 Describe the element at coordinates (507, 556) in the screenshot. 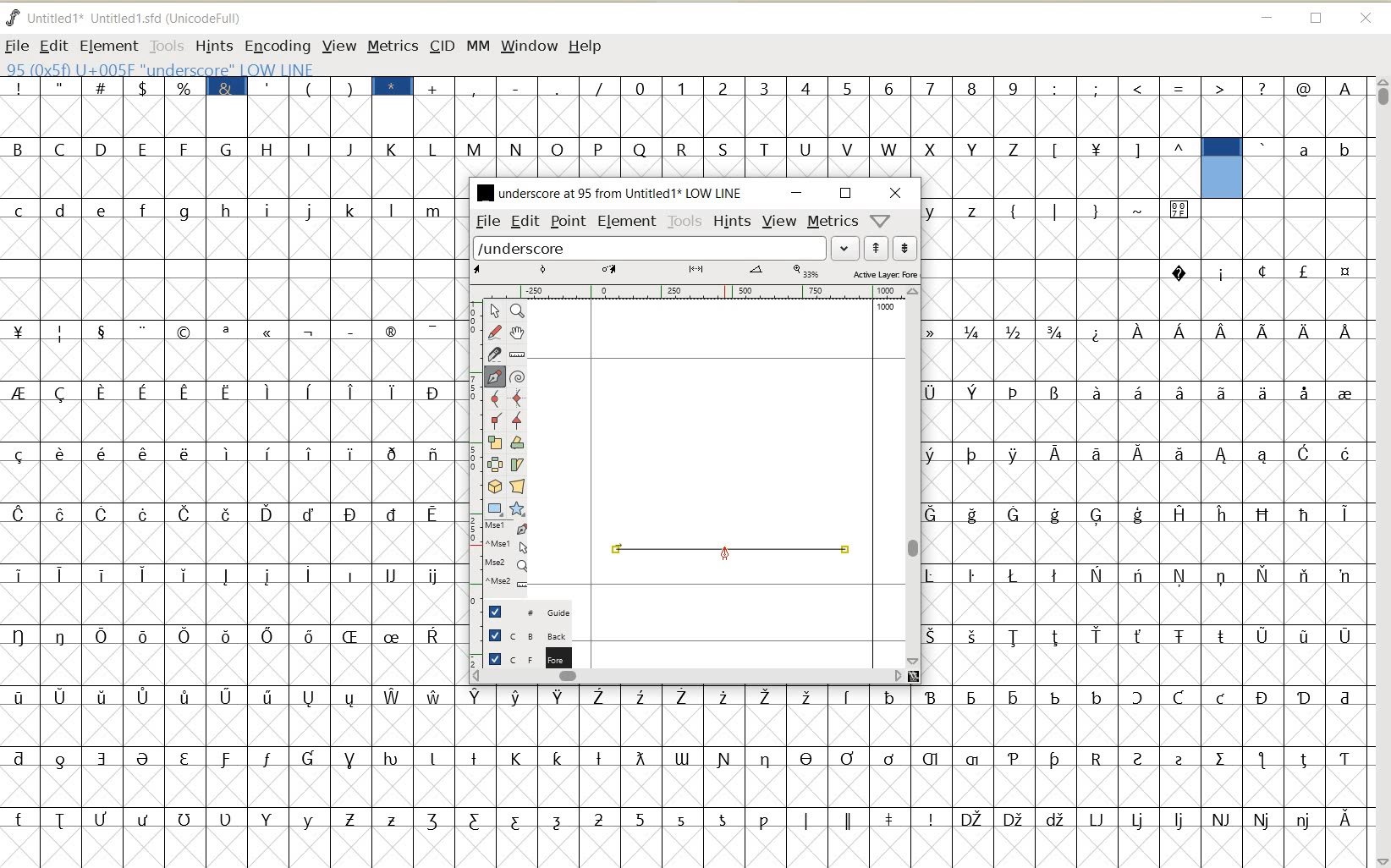

I see `cursor events on the opened outline window` at that location.